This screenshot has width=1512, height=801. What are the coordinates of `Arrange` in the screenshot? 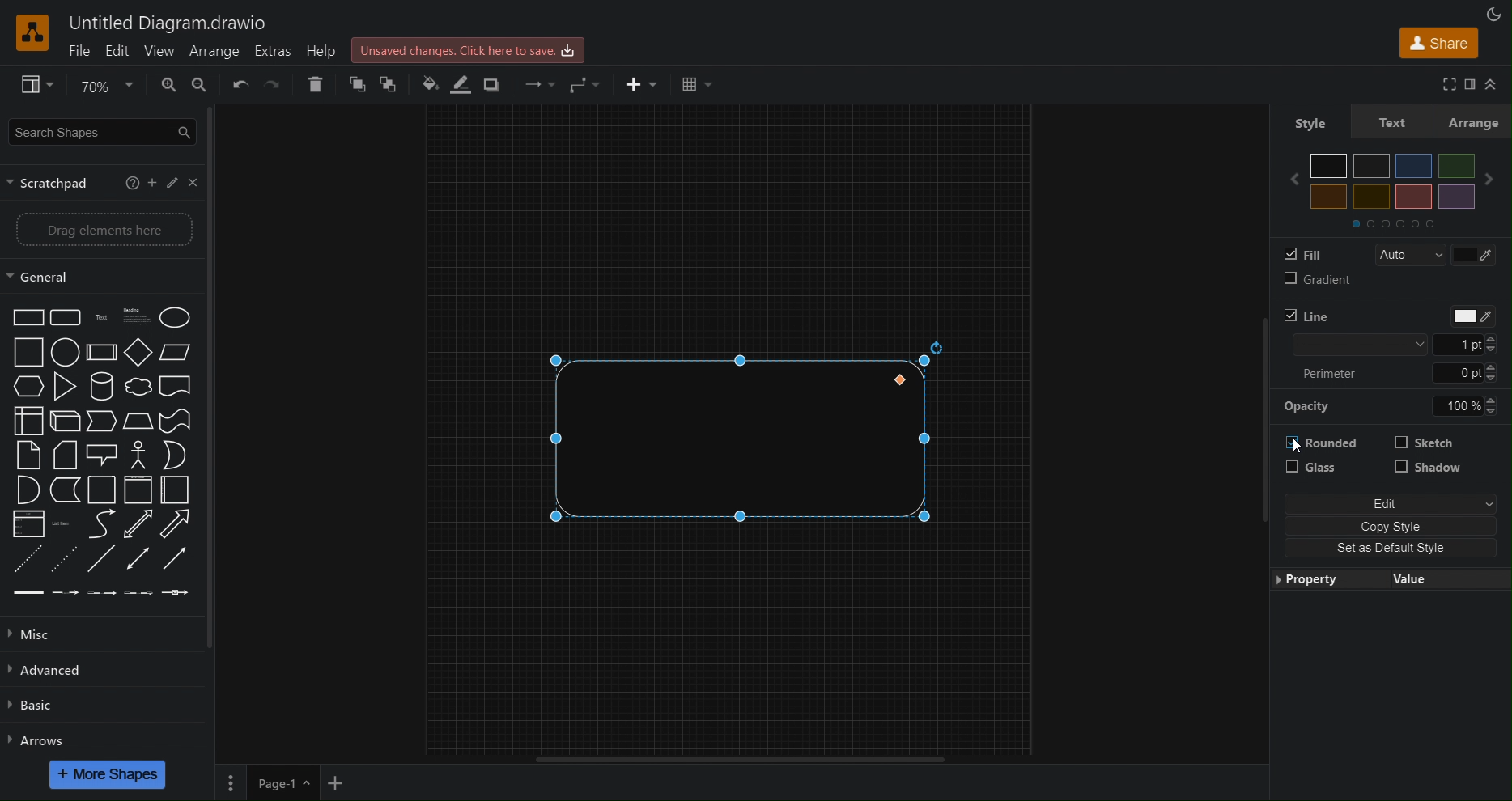 It's located at (218, 52).